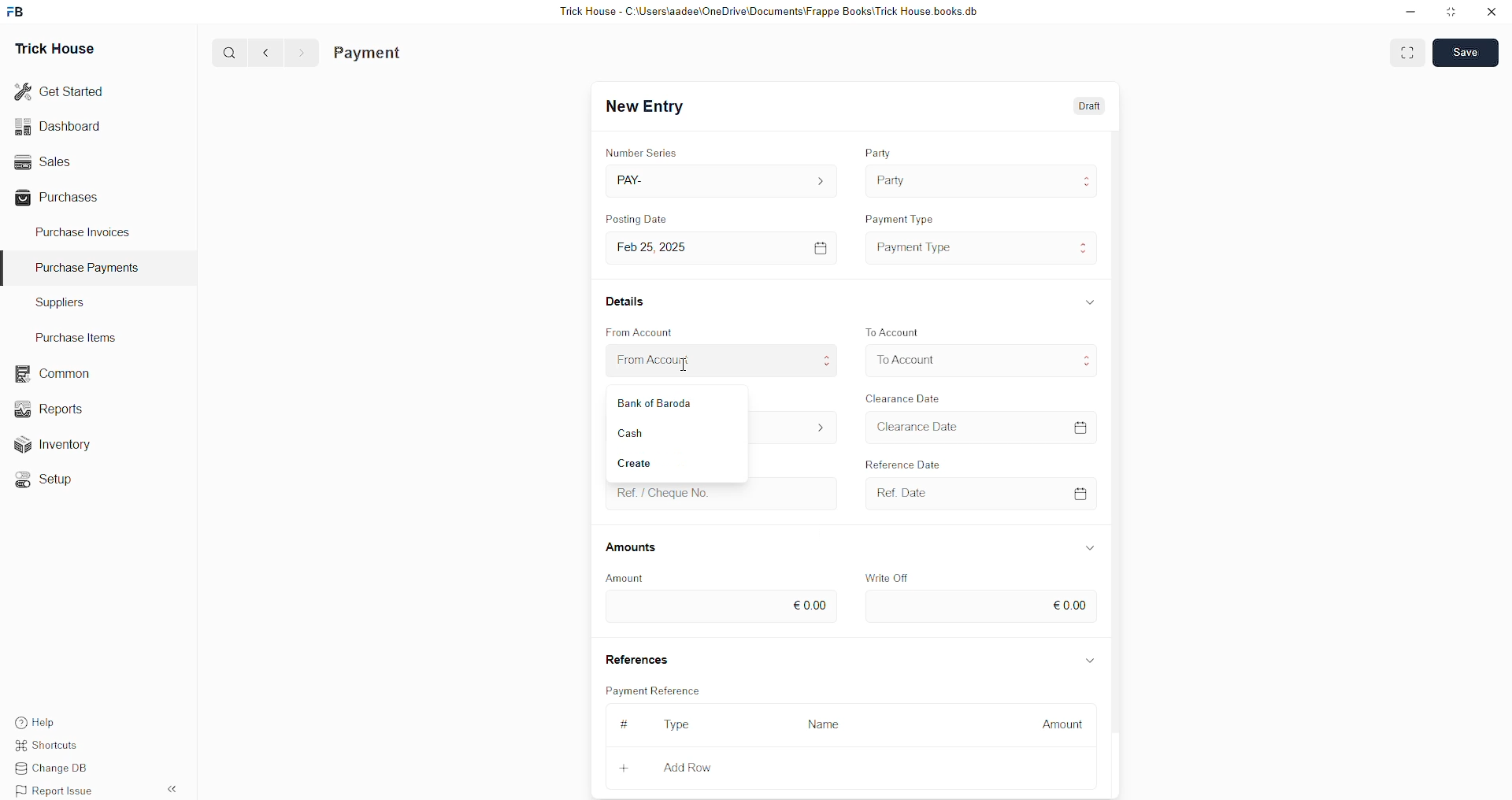 The width and height of the screenshot is (1512, 800). I want to click on Party, so click(880, 149).